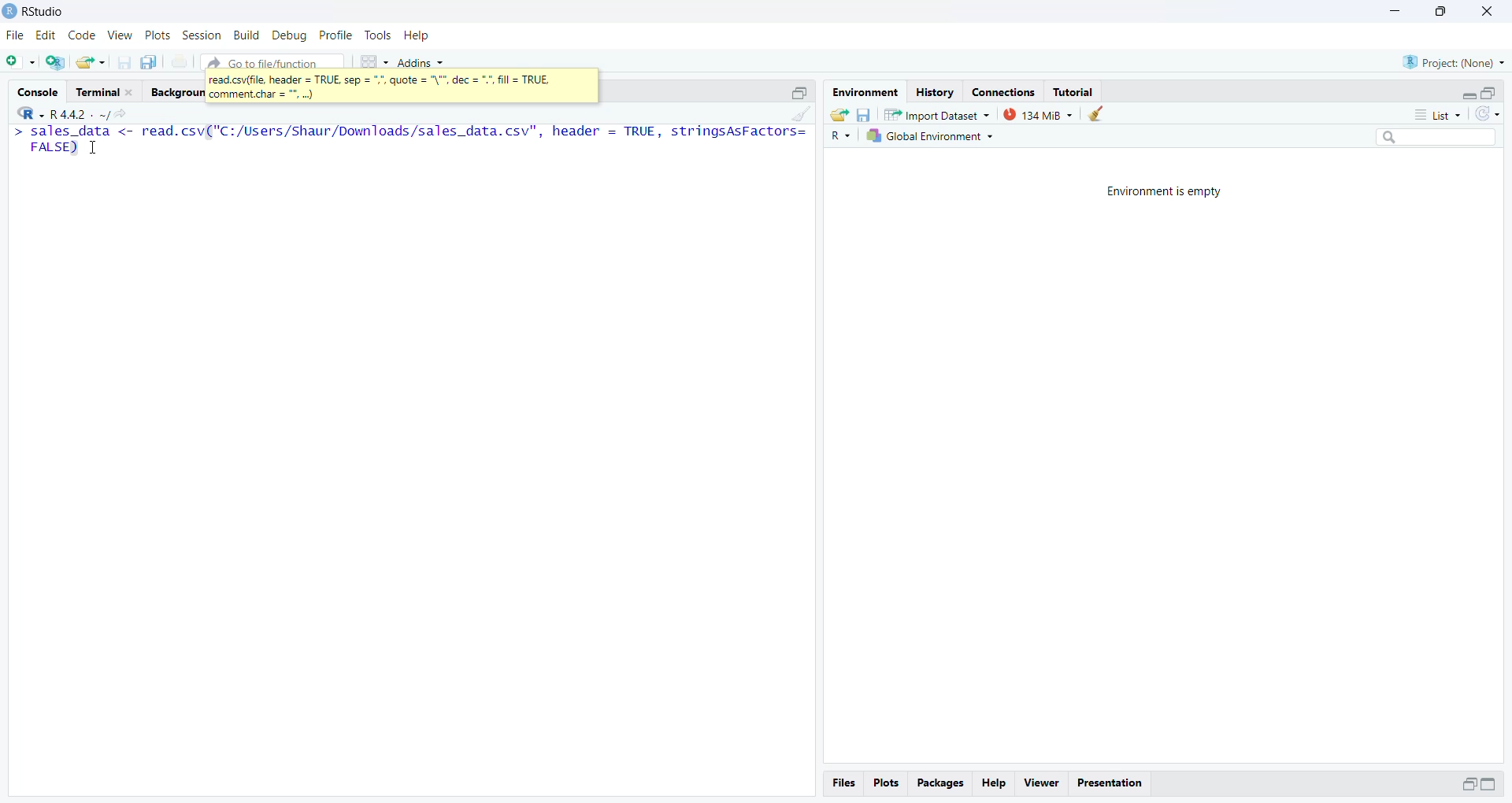  What do you see at coordinates (19, 60) in the screenshot?
I see `New File` at bounding box center [19, 60].